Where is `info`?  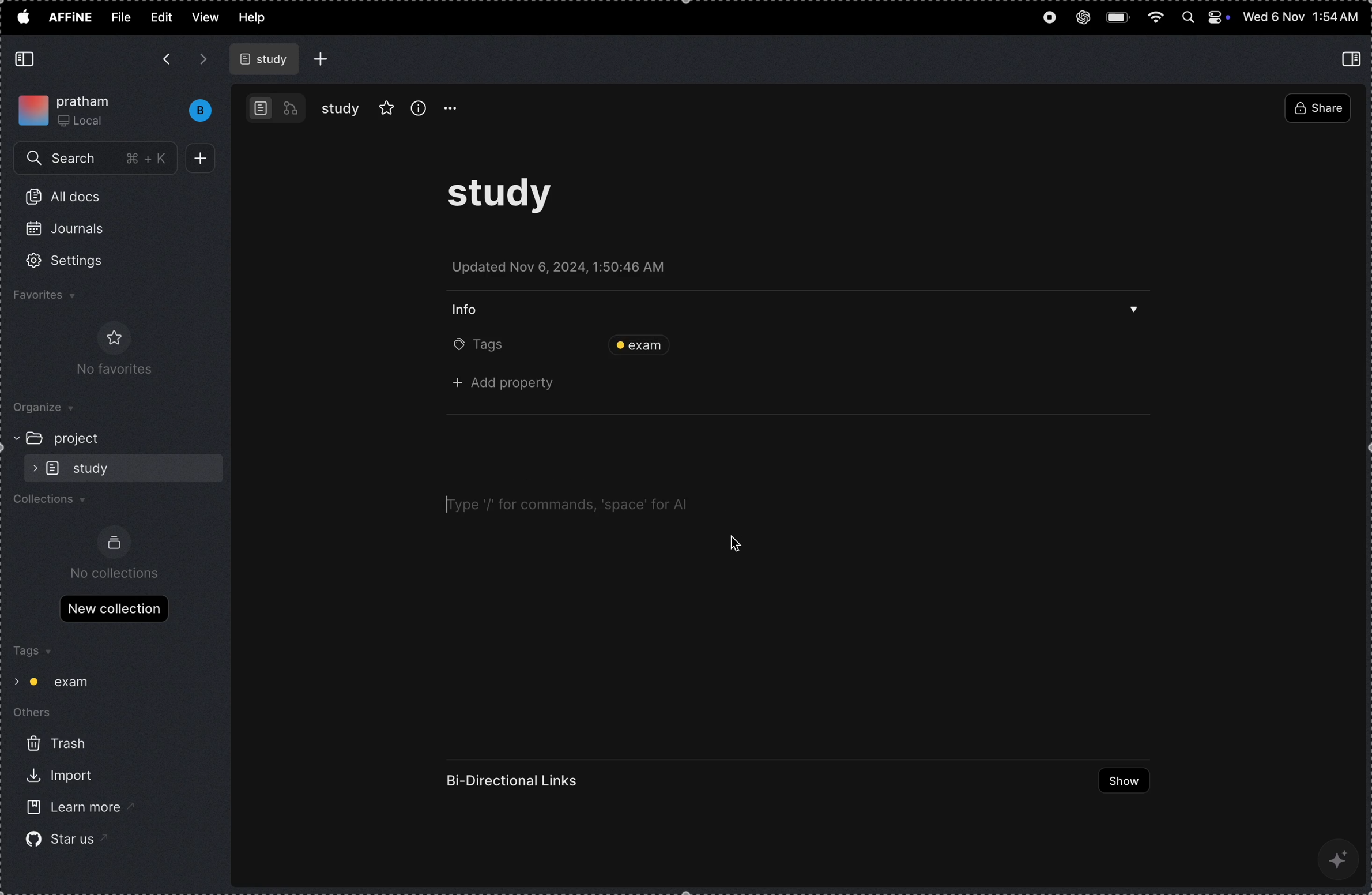 info is located at coordinates (419, 107).